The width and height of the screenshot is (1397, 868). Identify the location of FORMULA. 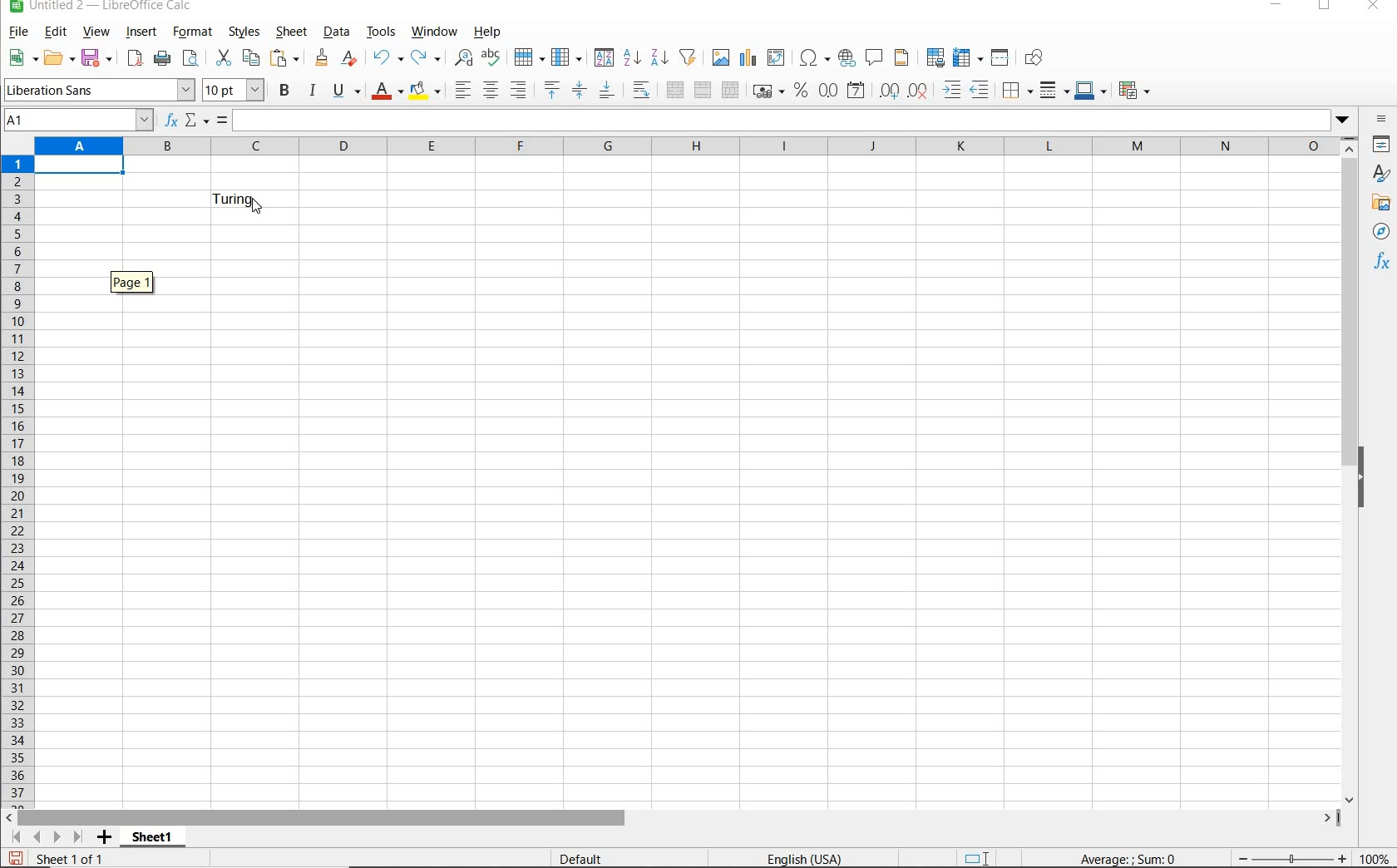
(221, 121).